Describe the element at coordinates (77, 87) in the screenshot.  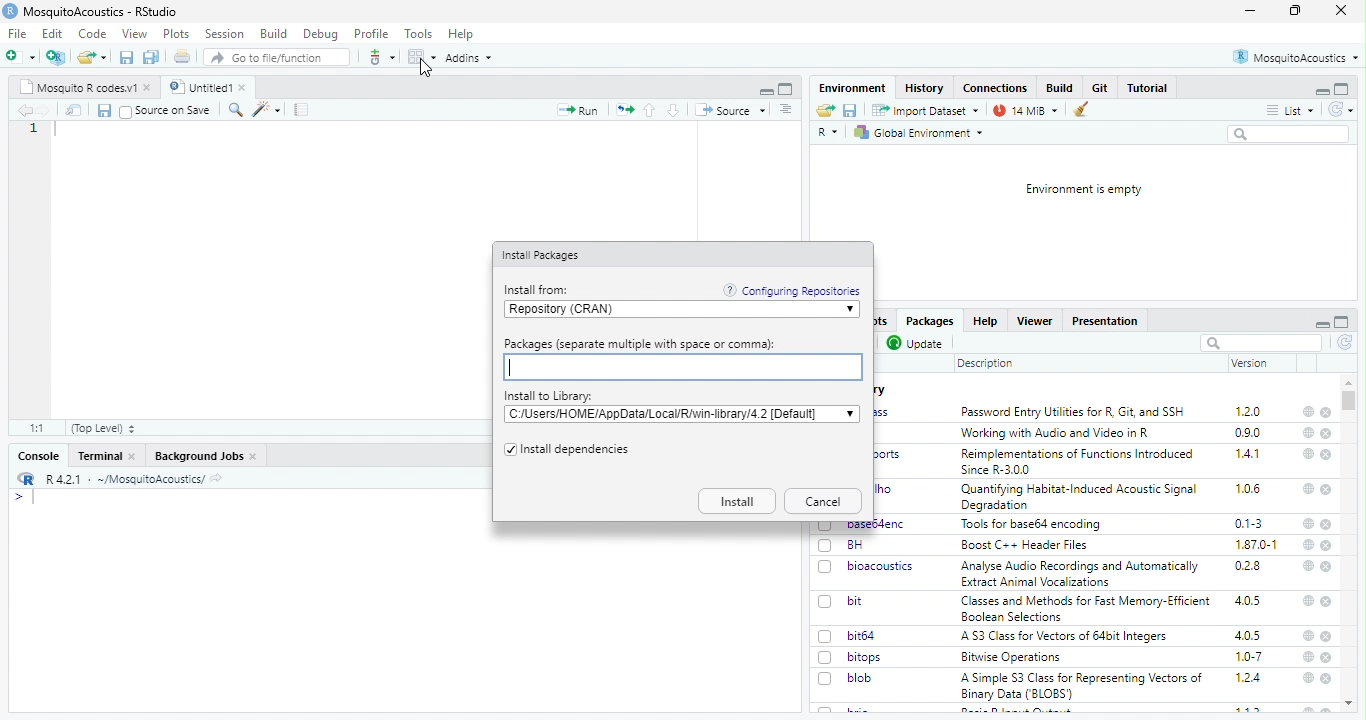
I see `‘Mosquito R codes.vl` at that location.